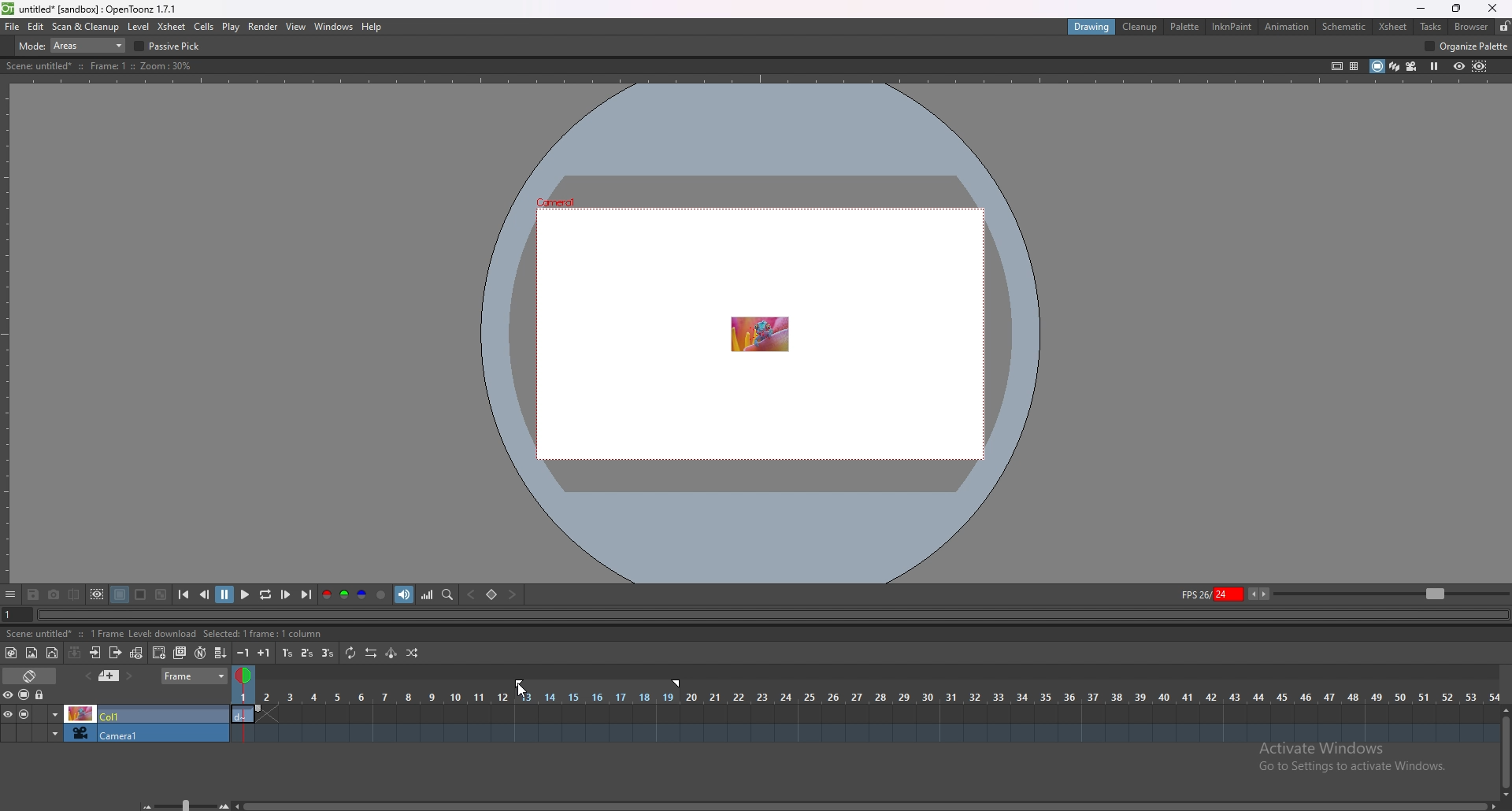 The image size is (1512, 811). Describe the element at coordinates (362, 594) in the screenshot. I see `blue channel` at that location.